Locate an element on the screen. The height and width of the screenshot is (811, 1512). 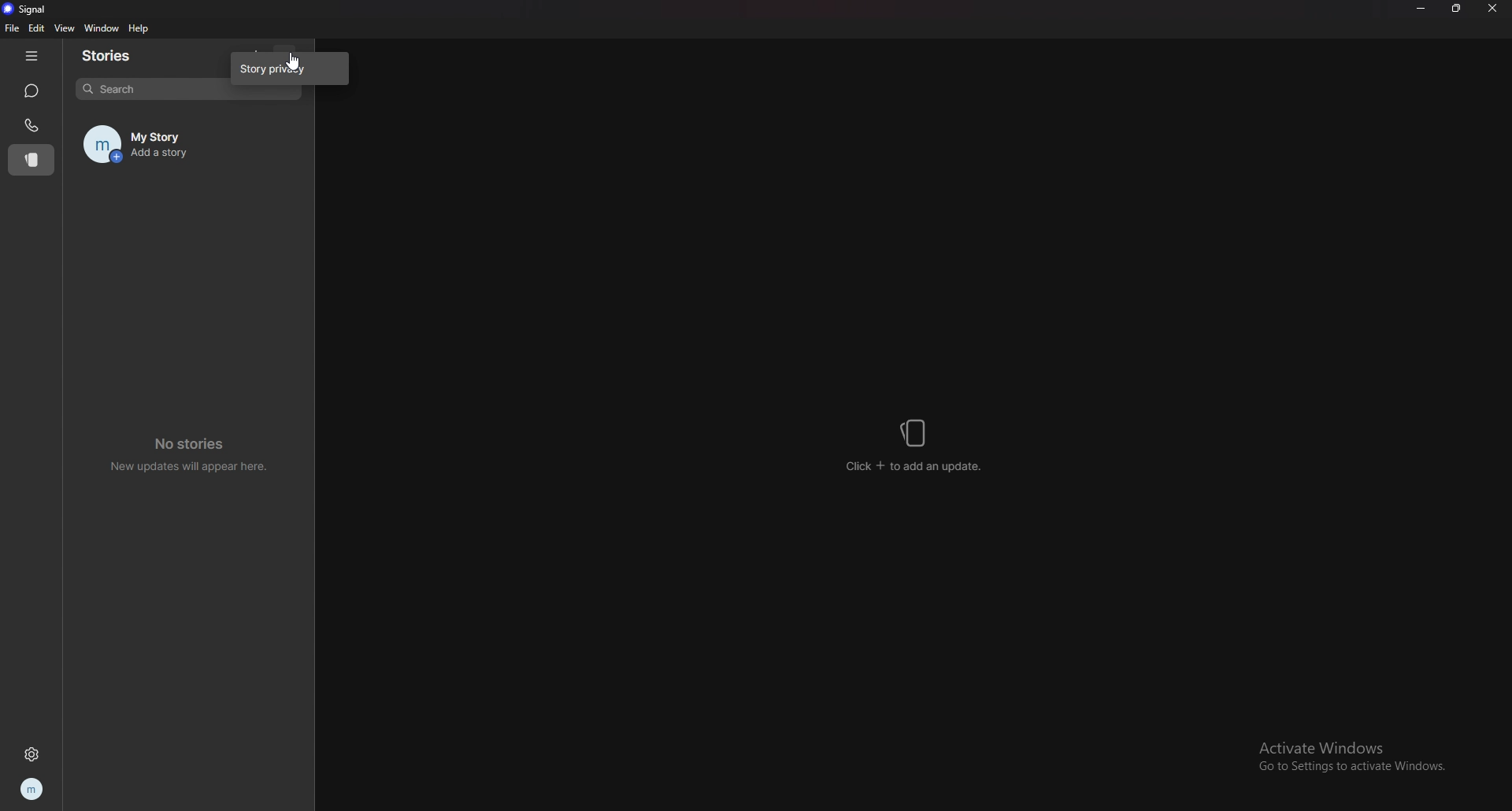
search is located at coordinates (187, 94).